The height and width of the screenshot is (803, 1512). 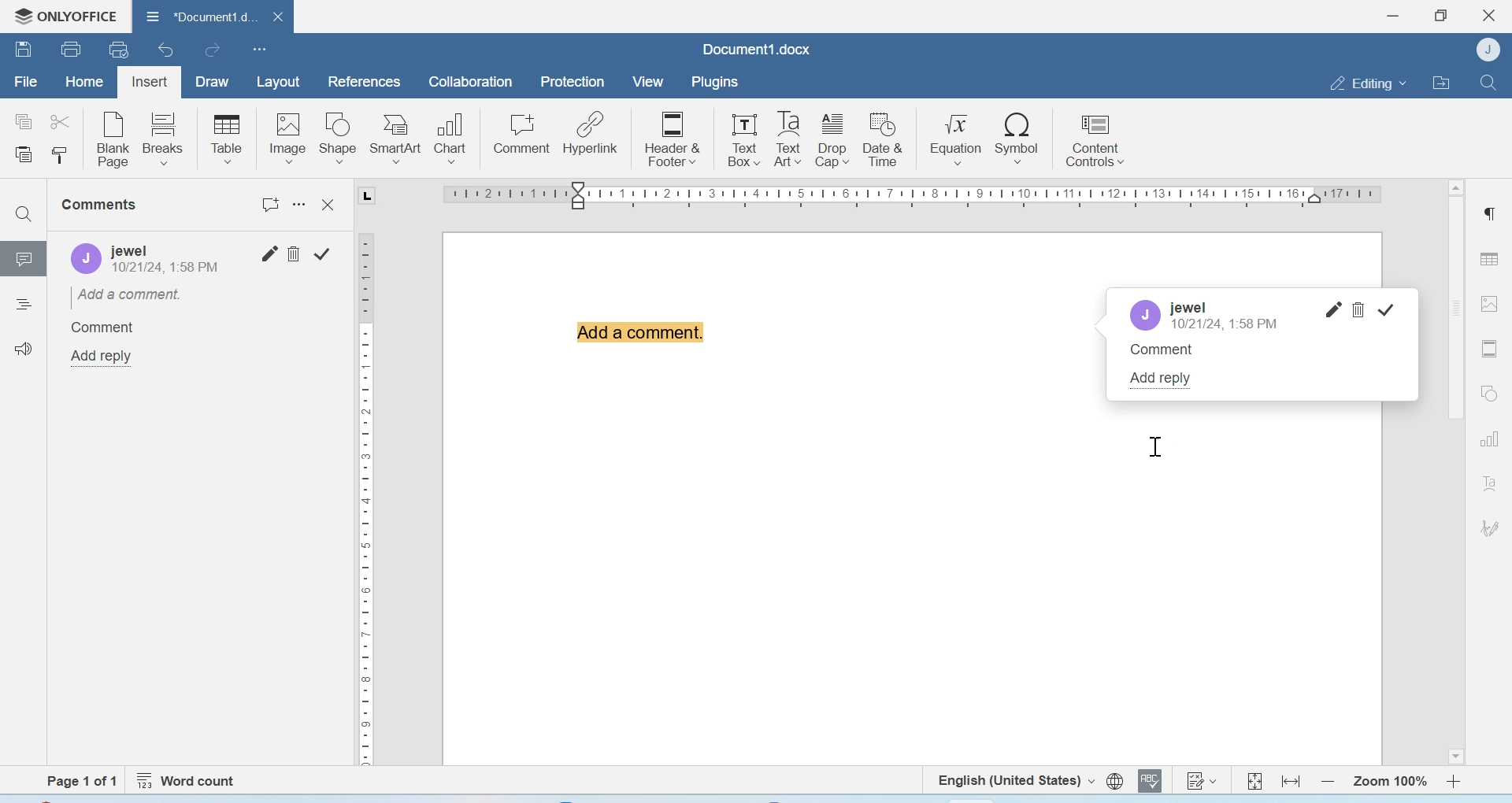 I want to click on Save, so click(x=23, y=48).